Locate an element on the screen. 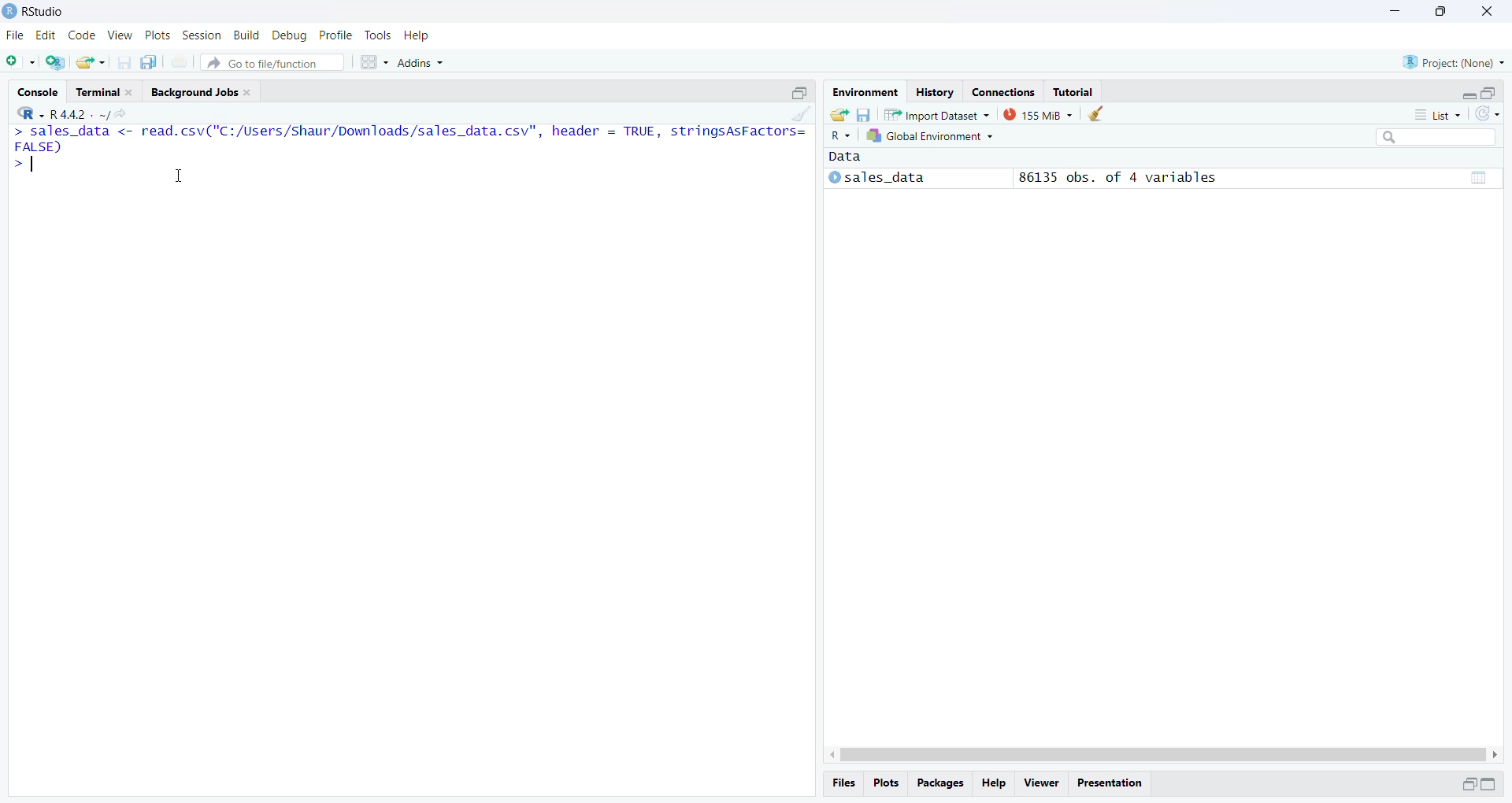 This screenshot has height=803, width=1512. Global Environment is located at coordinates (932, 139).